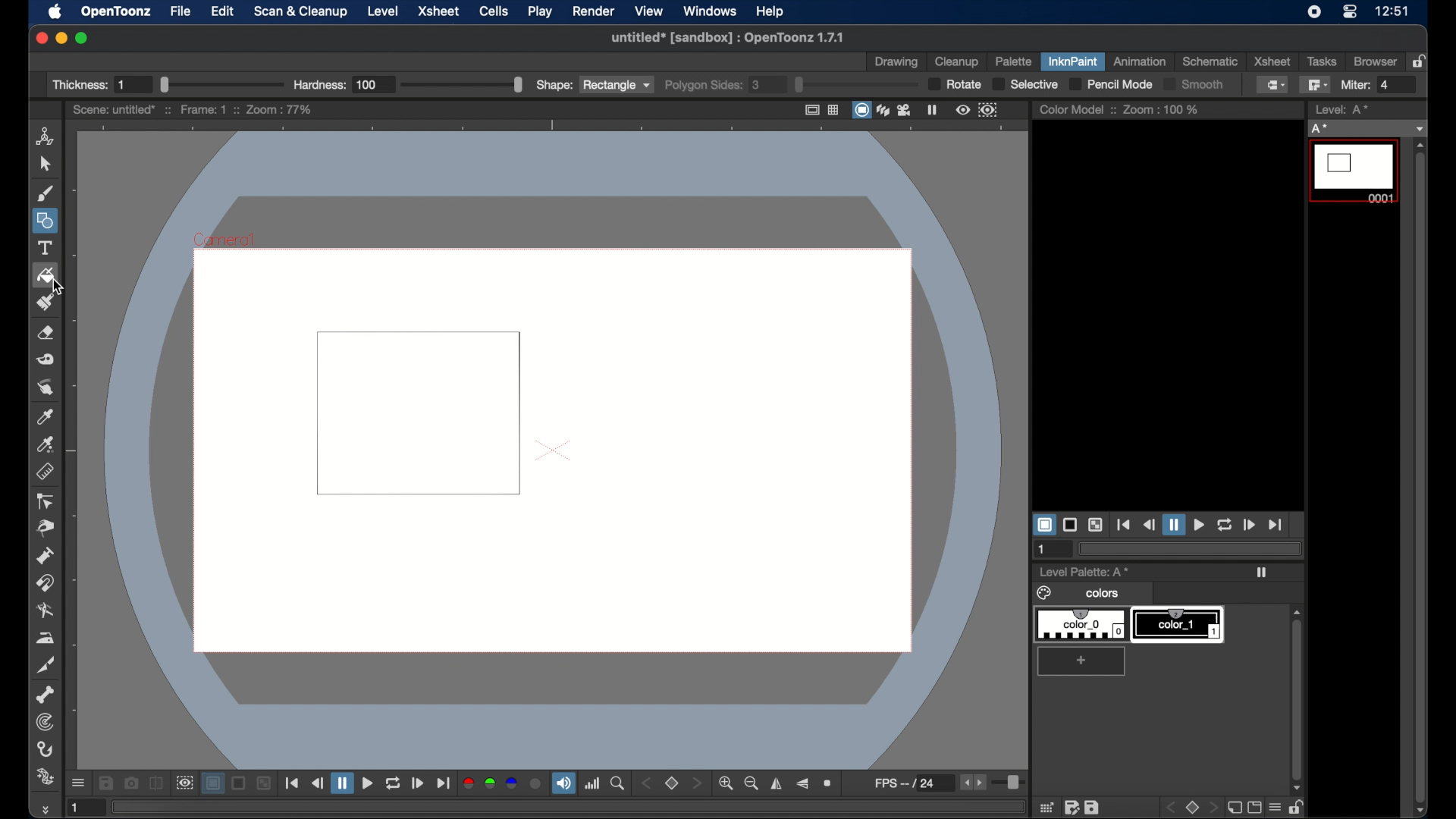 This screenshot has height=819, width=1456. I want to click on picker tool, so click(45, 416).